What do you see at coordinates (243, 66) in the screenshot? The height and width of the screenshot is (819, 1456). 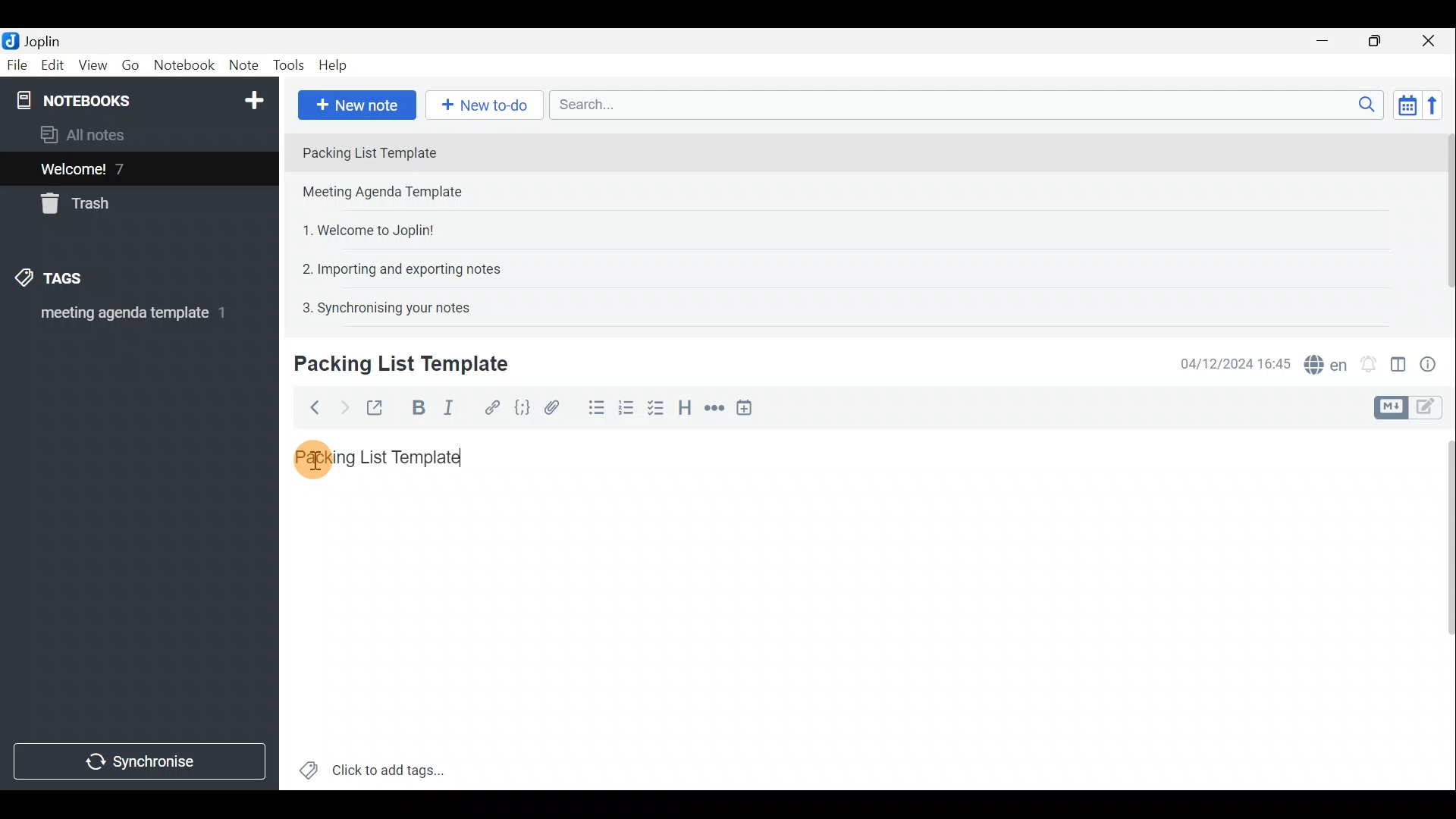 I see `Note` at bounding box center [243, 66].